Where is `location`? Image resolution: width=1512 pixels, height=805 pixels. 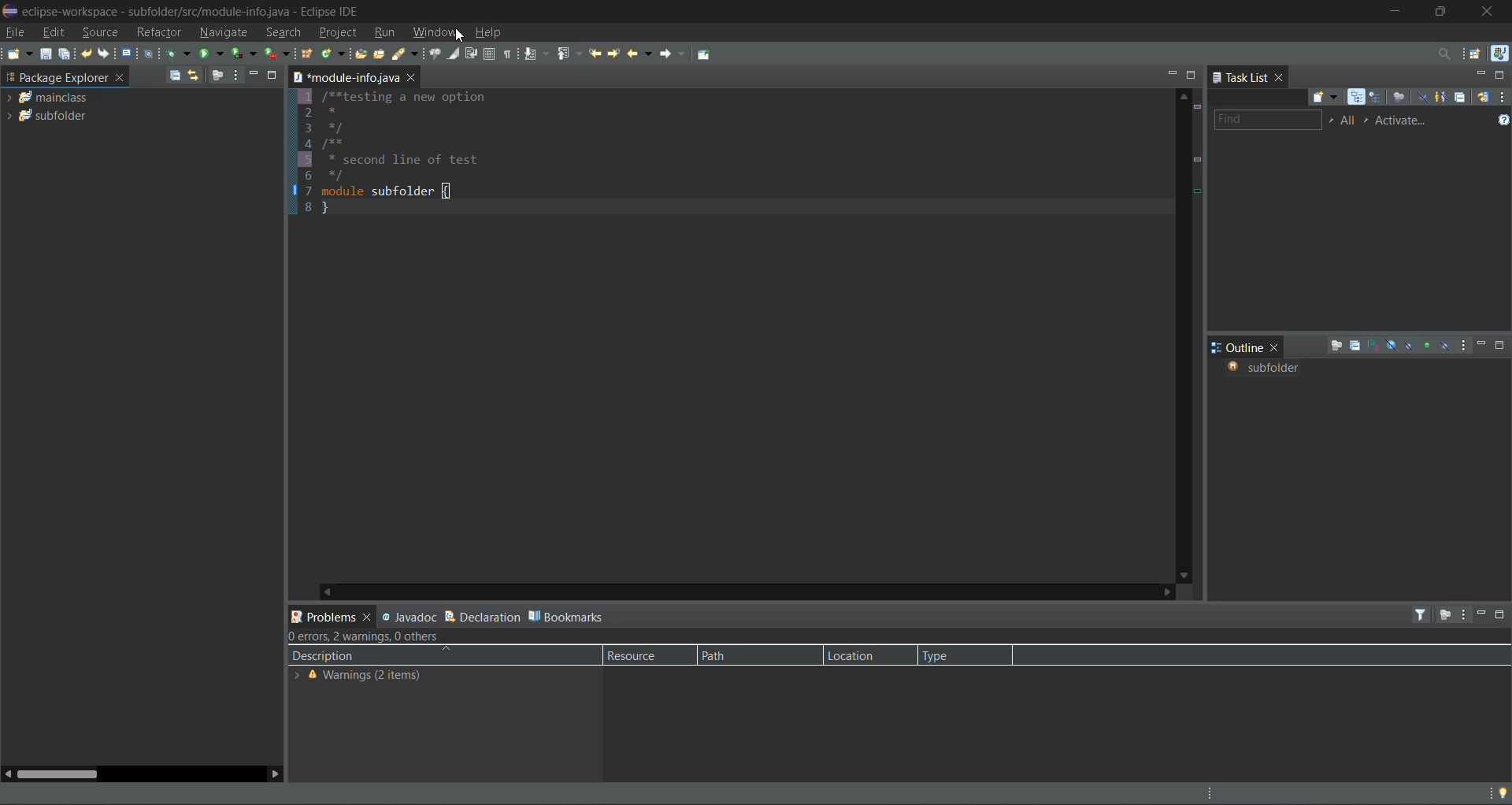
location is located at coordinates (856, 652).